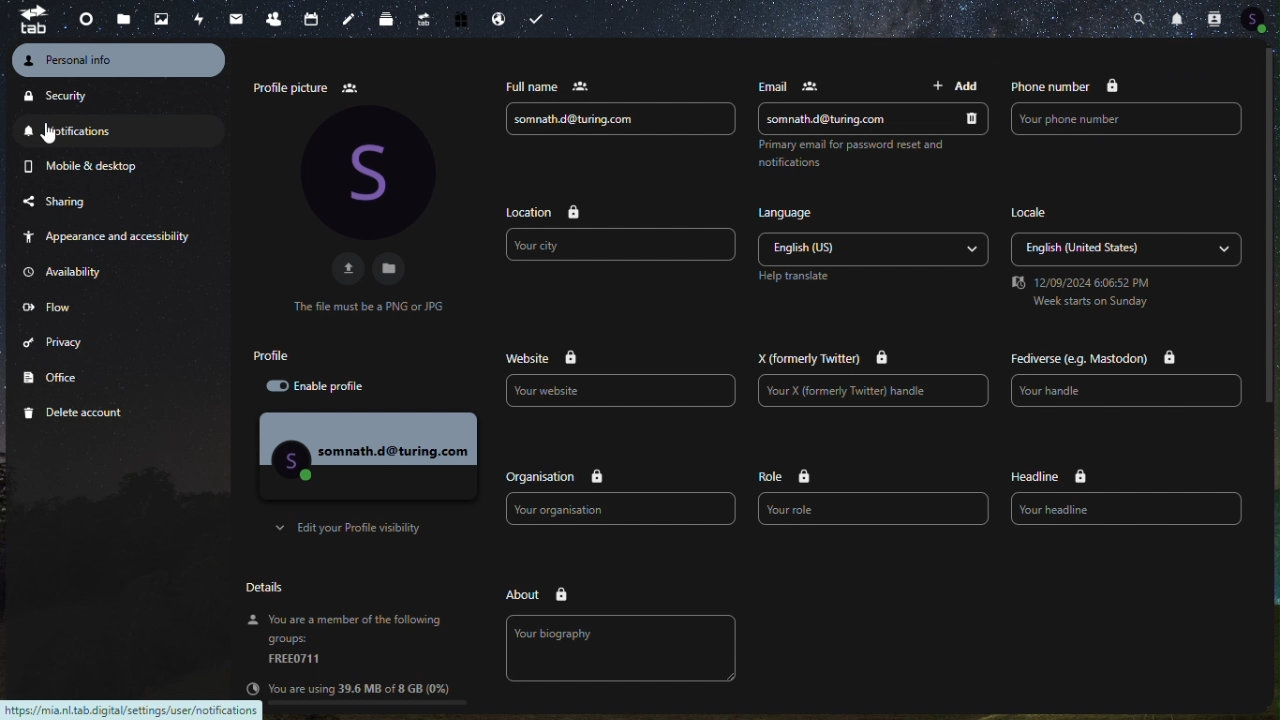 The image size is (1280, 720). Describe the element at coordinates (118, 61) in the screenshot. I see `personal info` at that location.